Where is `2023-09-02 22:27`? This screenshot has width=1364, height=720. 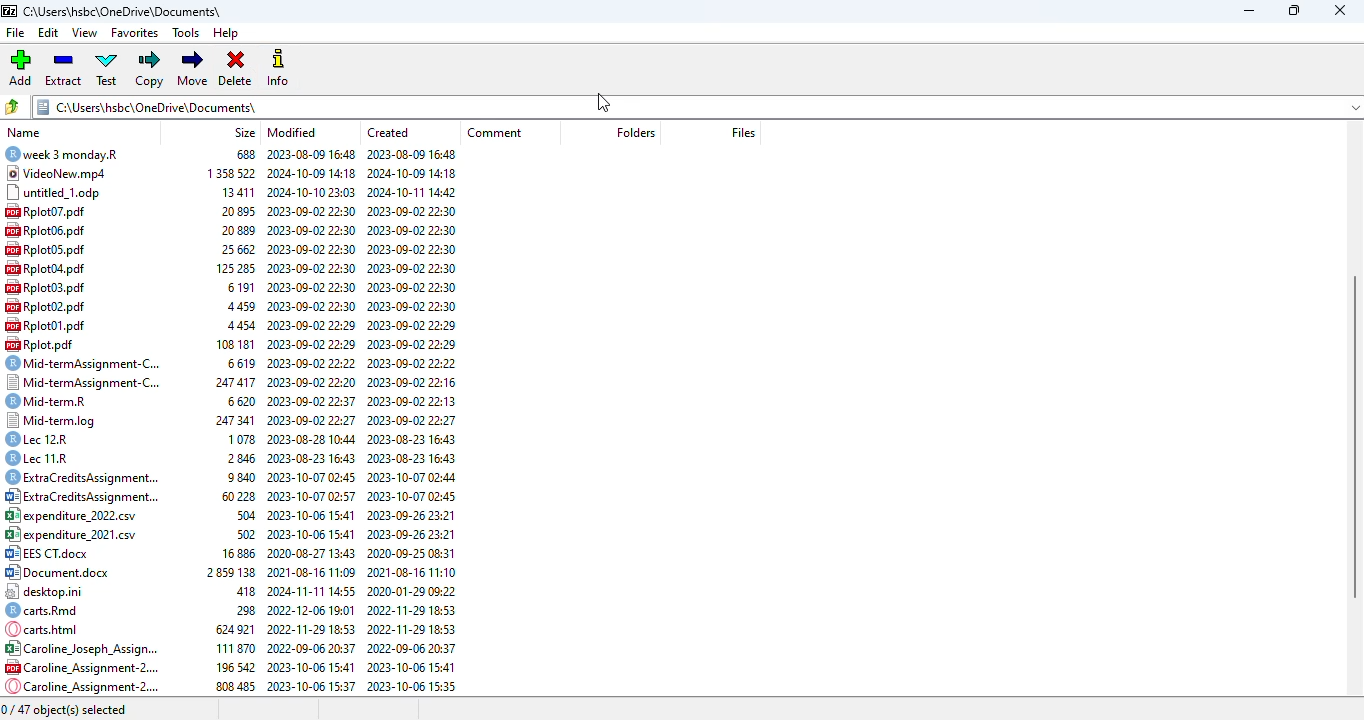 2023-09-02 22:27 is located at coordinates (406, 422).